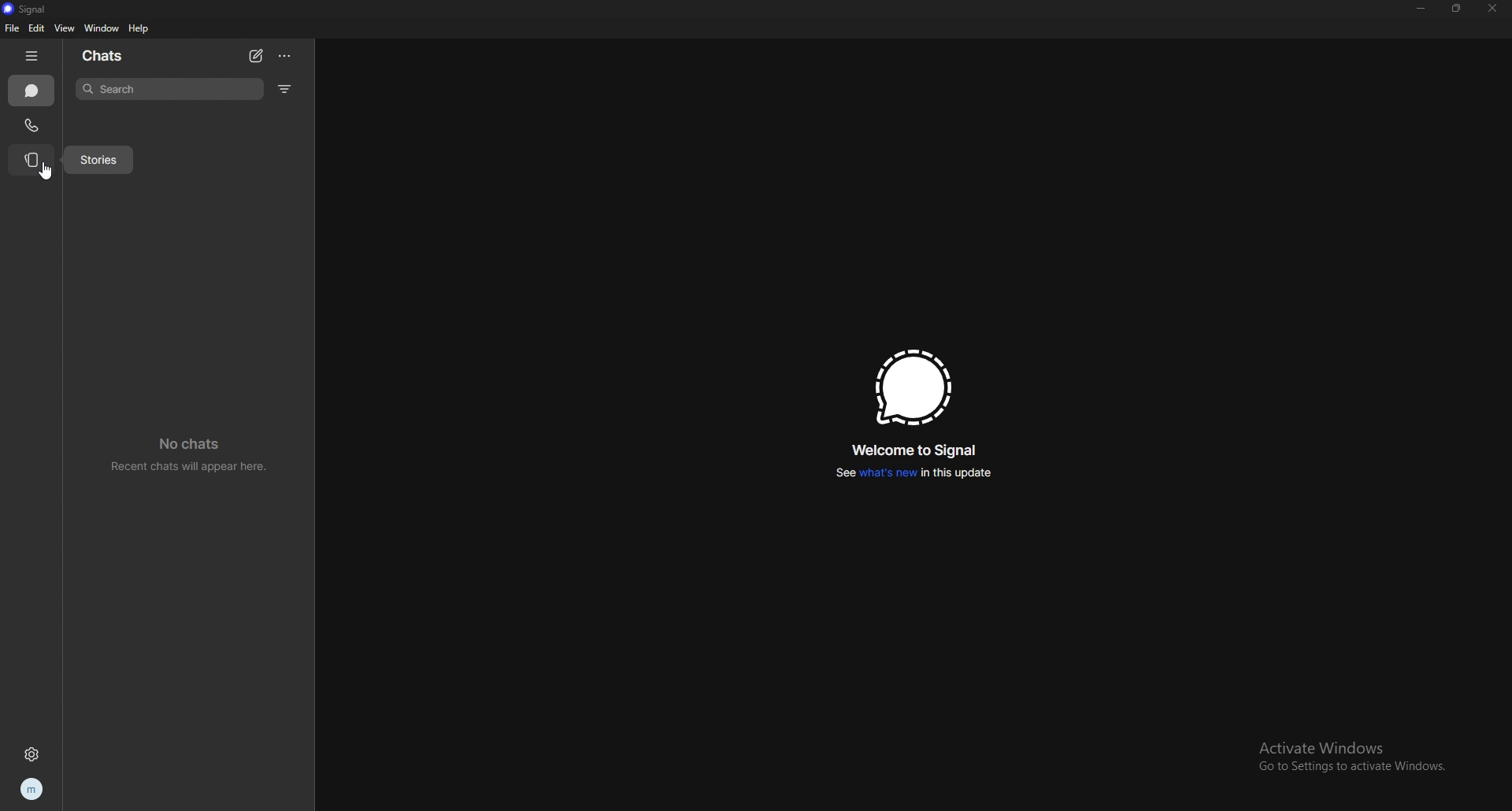  What do you see at coordinates (34, 124) in the screenshot?
I see `calls` at bounding box center [34, 124].